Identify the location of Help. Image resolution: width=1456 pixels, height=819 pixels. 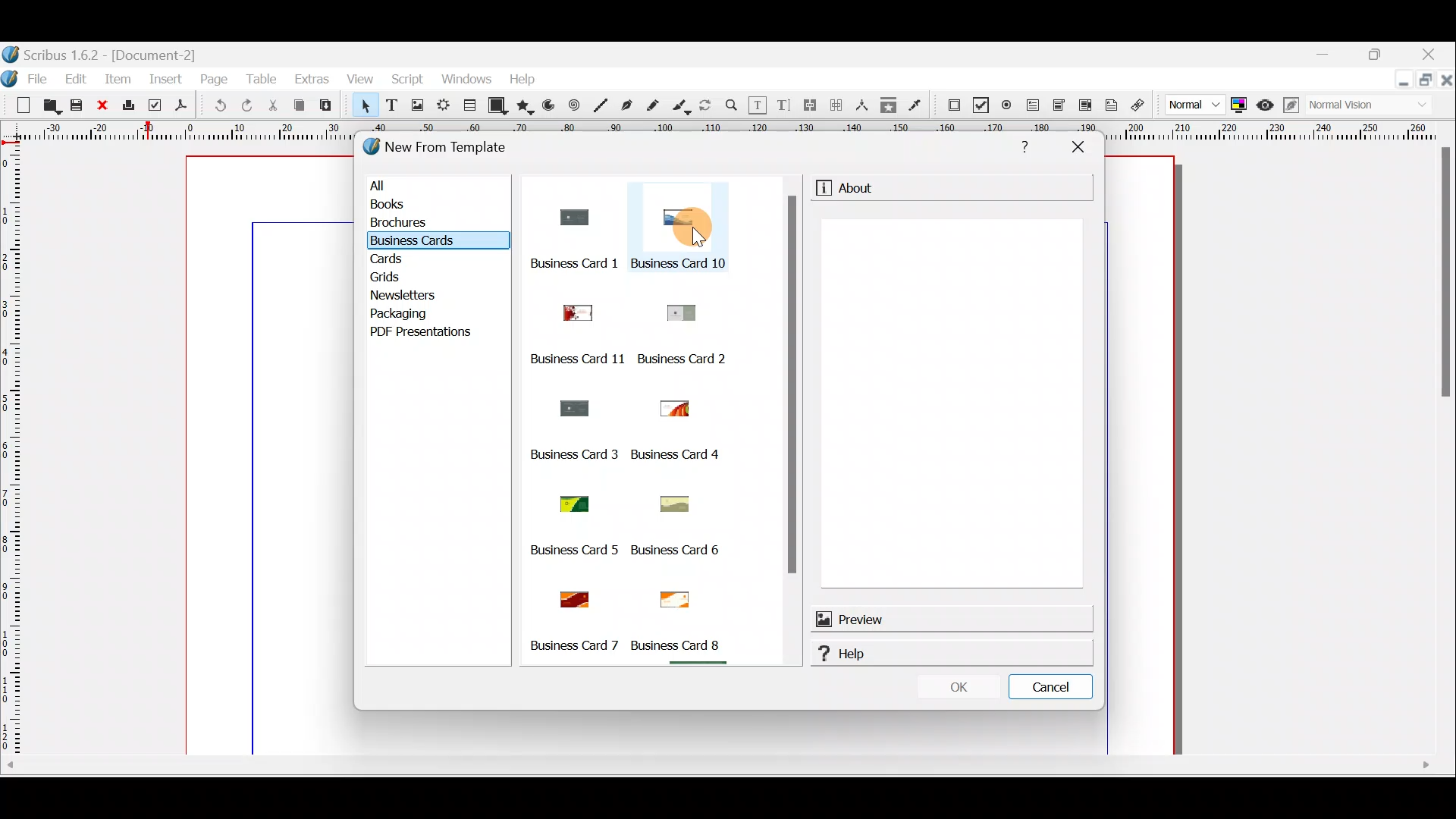
(526, 79).